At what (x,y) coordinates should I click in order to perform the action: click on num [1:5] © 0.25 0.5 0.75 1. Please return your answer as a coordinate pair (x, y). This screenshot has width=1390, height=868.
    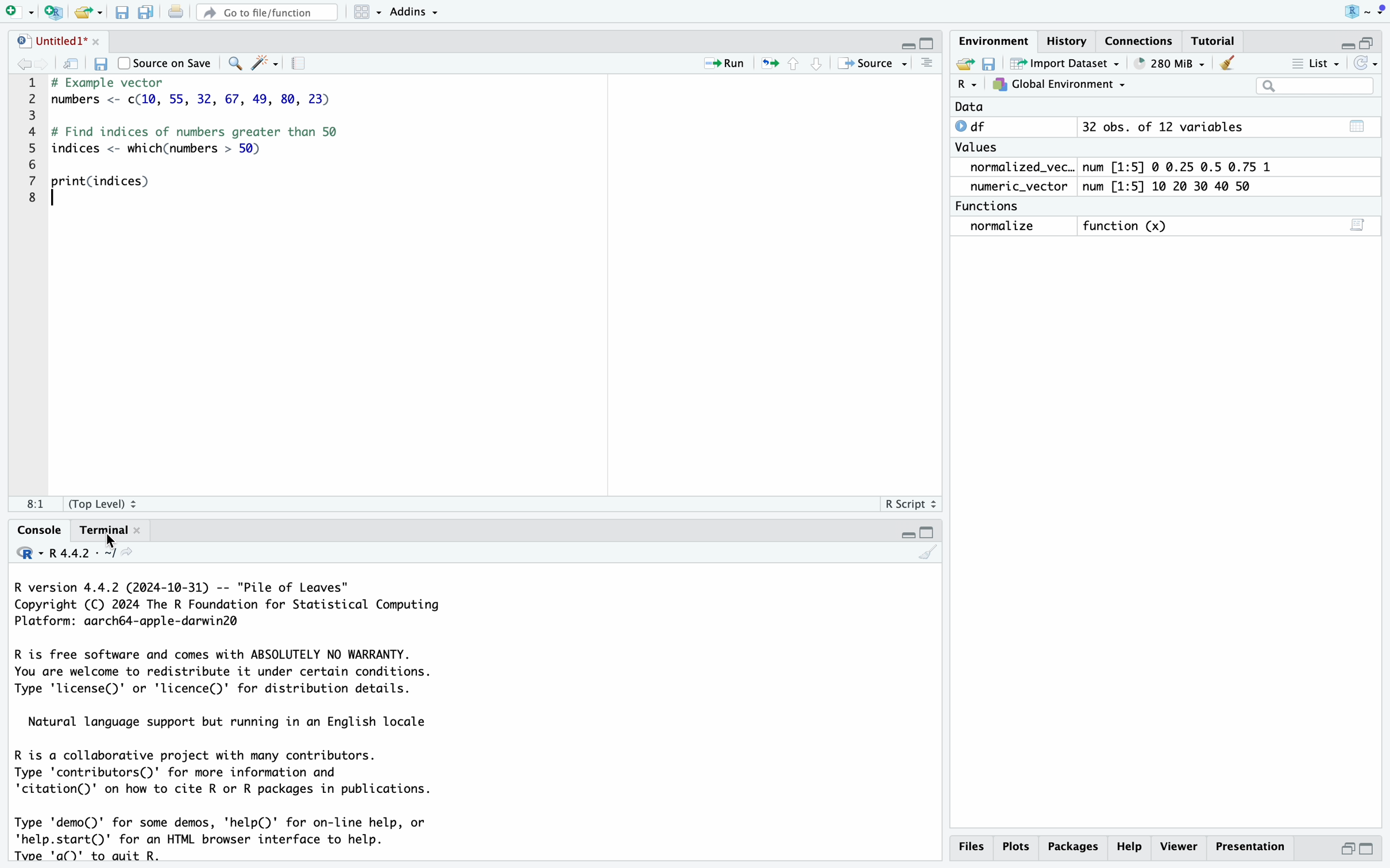
    Looking at the image, I should click on (1185, 165).